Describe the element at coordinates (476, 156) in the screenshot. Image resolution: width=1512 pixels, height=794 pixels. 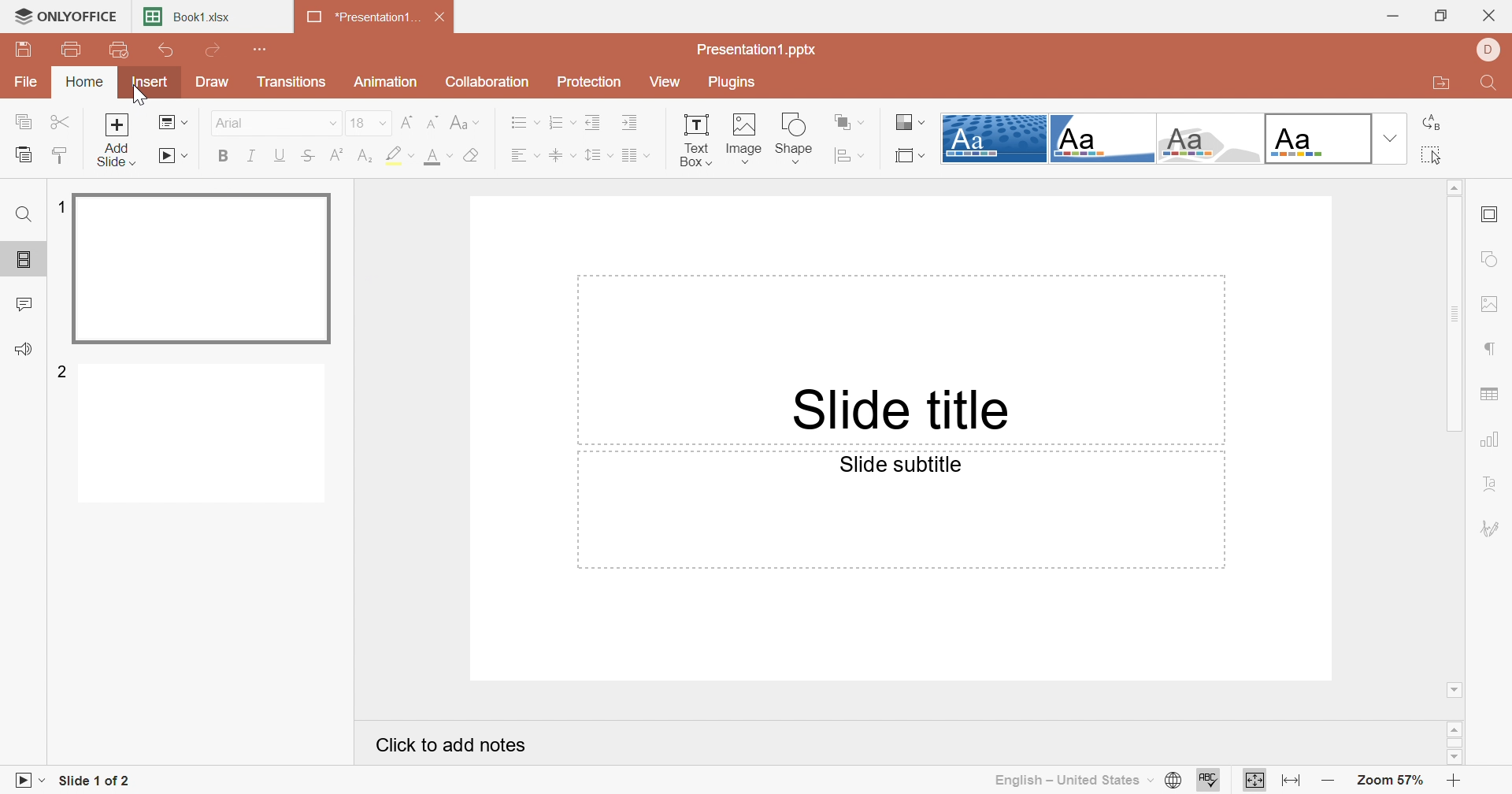
I see `Clear` at that location.